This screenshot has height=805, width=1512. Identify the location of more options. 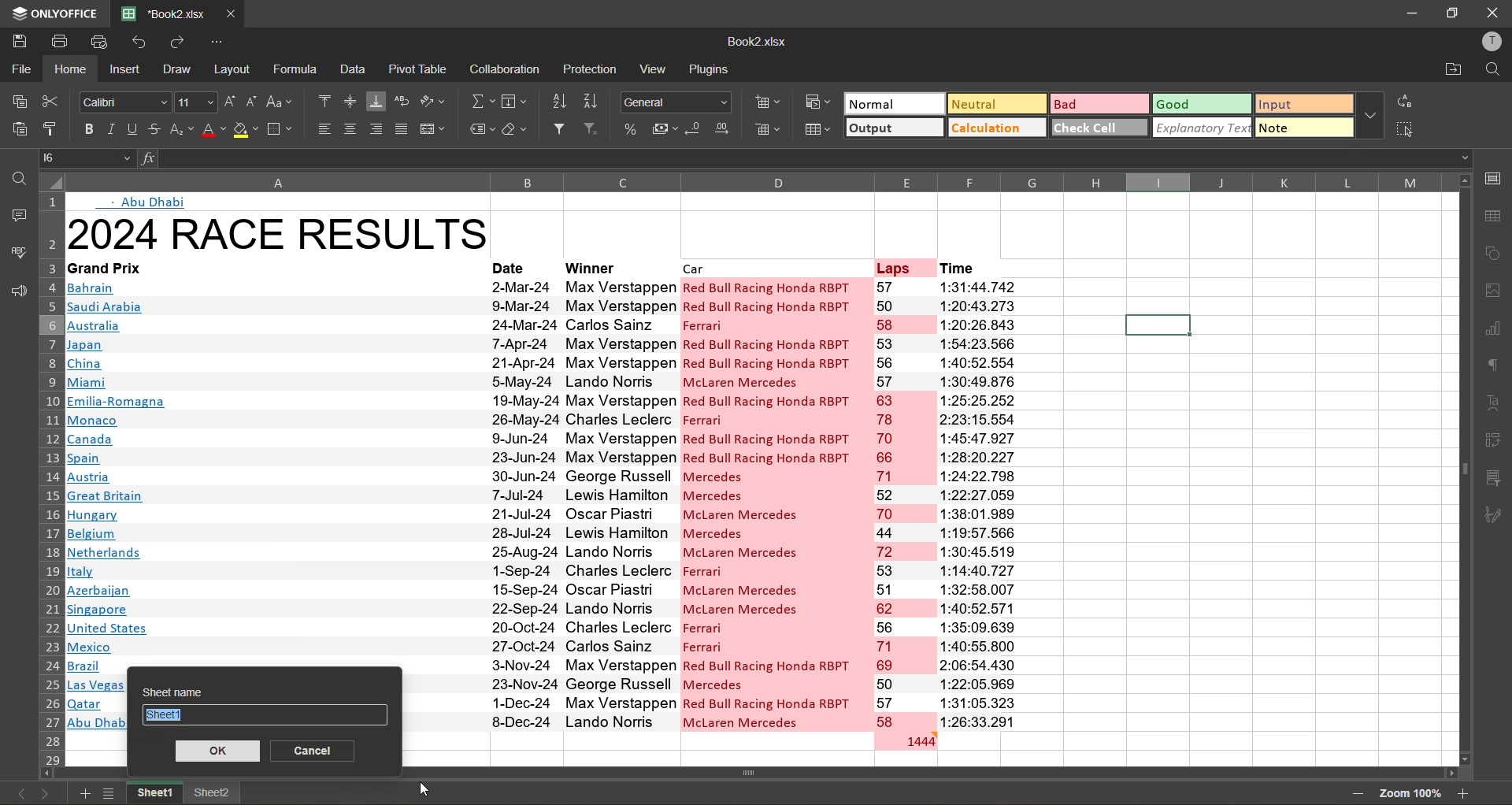
(1371, 113).